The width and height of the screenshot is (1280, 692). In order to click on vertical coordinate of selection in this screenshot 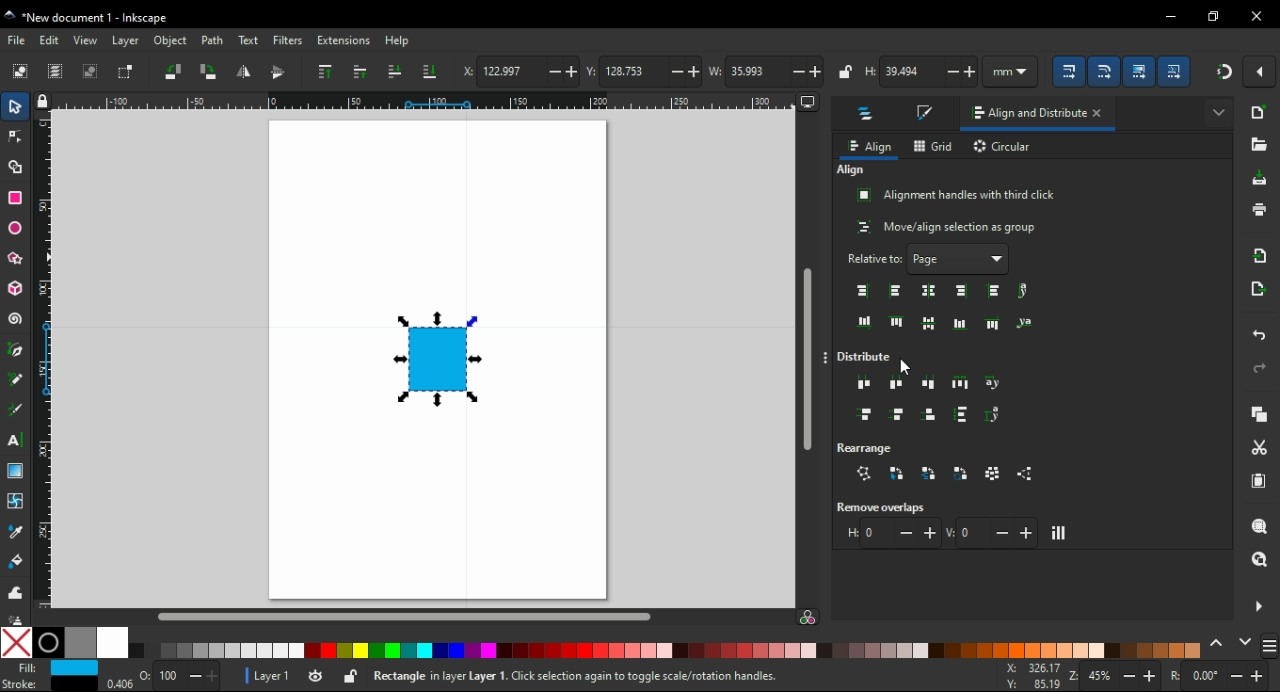, I will do `click(642, 70)`.